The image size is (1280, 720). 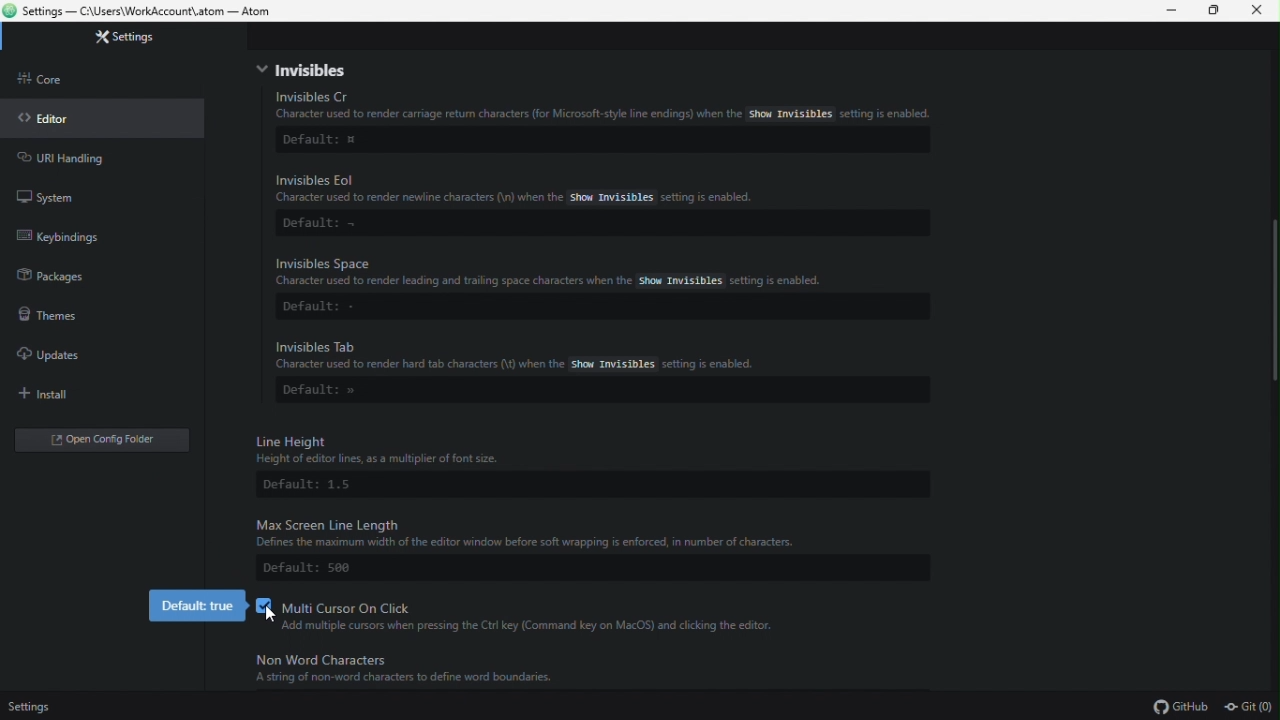 What do you see at coordinates (45, 706) in the screenshot?
I see `Setting` at bounding box center [45, 706].